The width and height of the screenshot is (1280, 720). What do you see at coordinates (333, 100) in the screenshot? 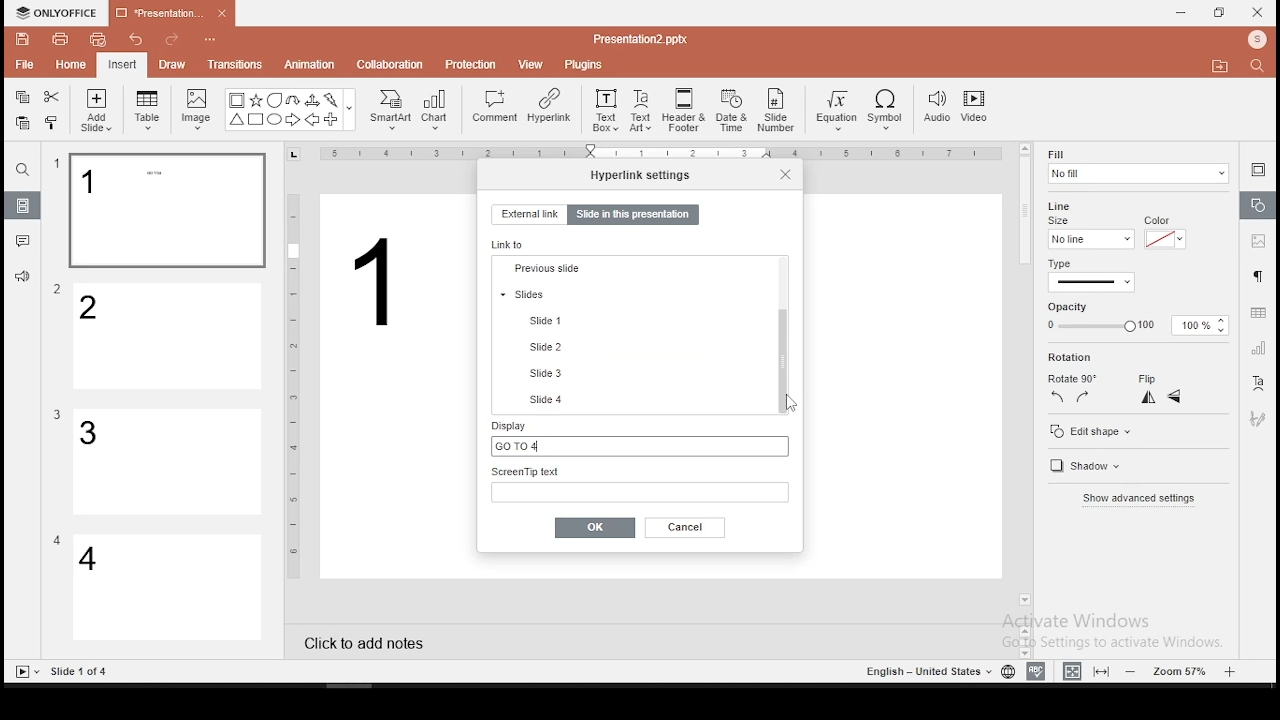
I see `Flash` at bounding box center [333, 100].